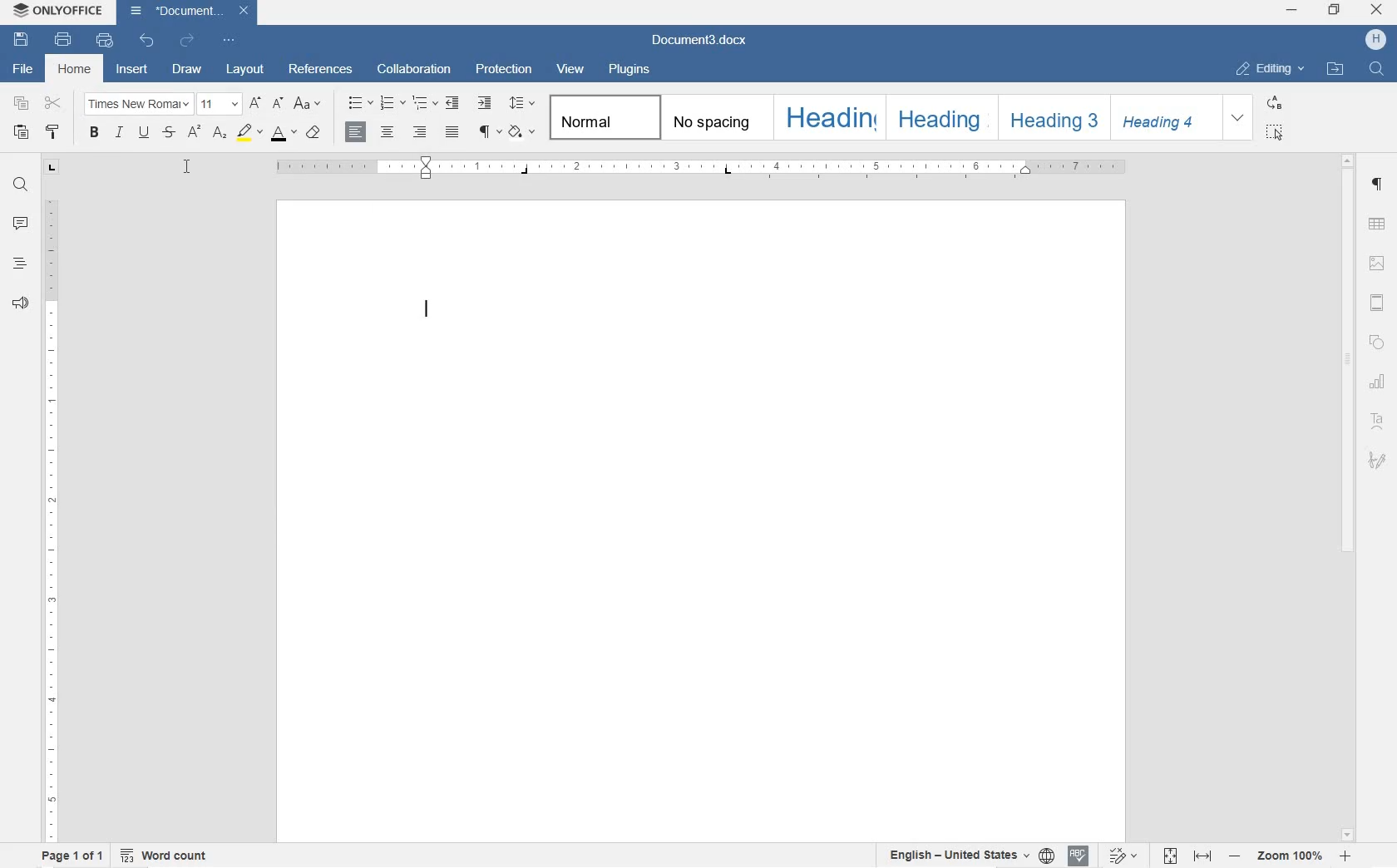 Image resolution: width=1397 pixels, height=868 pixels. I want to click on HEADING 2, so click(937, 118).